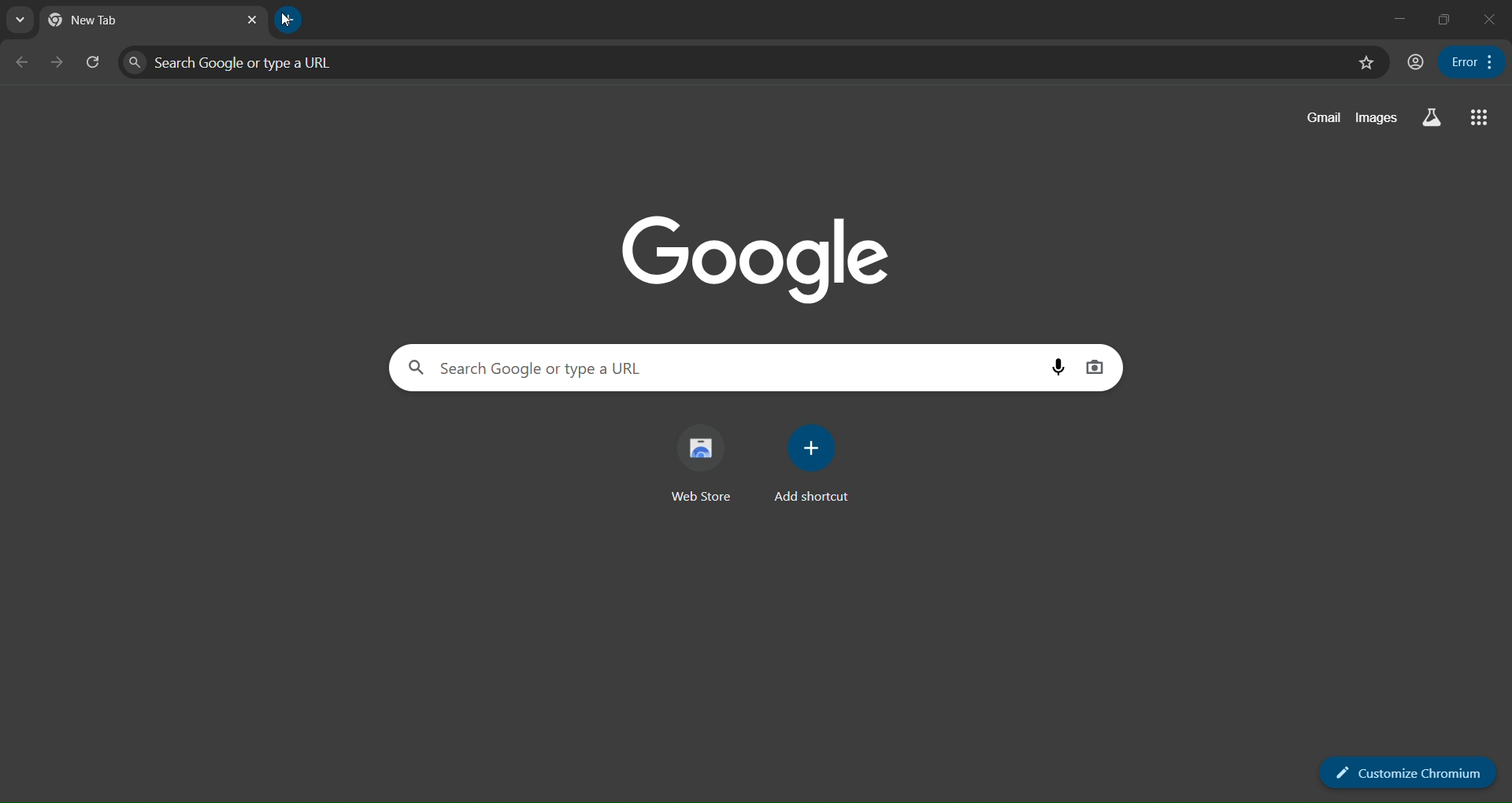  What do you see at coordinates (693, 470) in the screenshot?
I see `web store` at bounding box center [693, 470].